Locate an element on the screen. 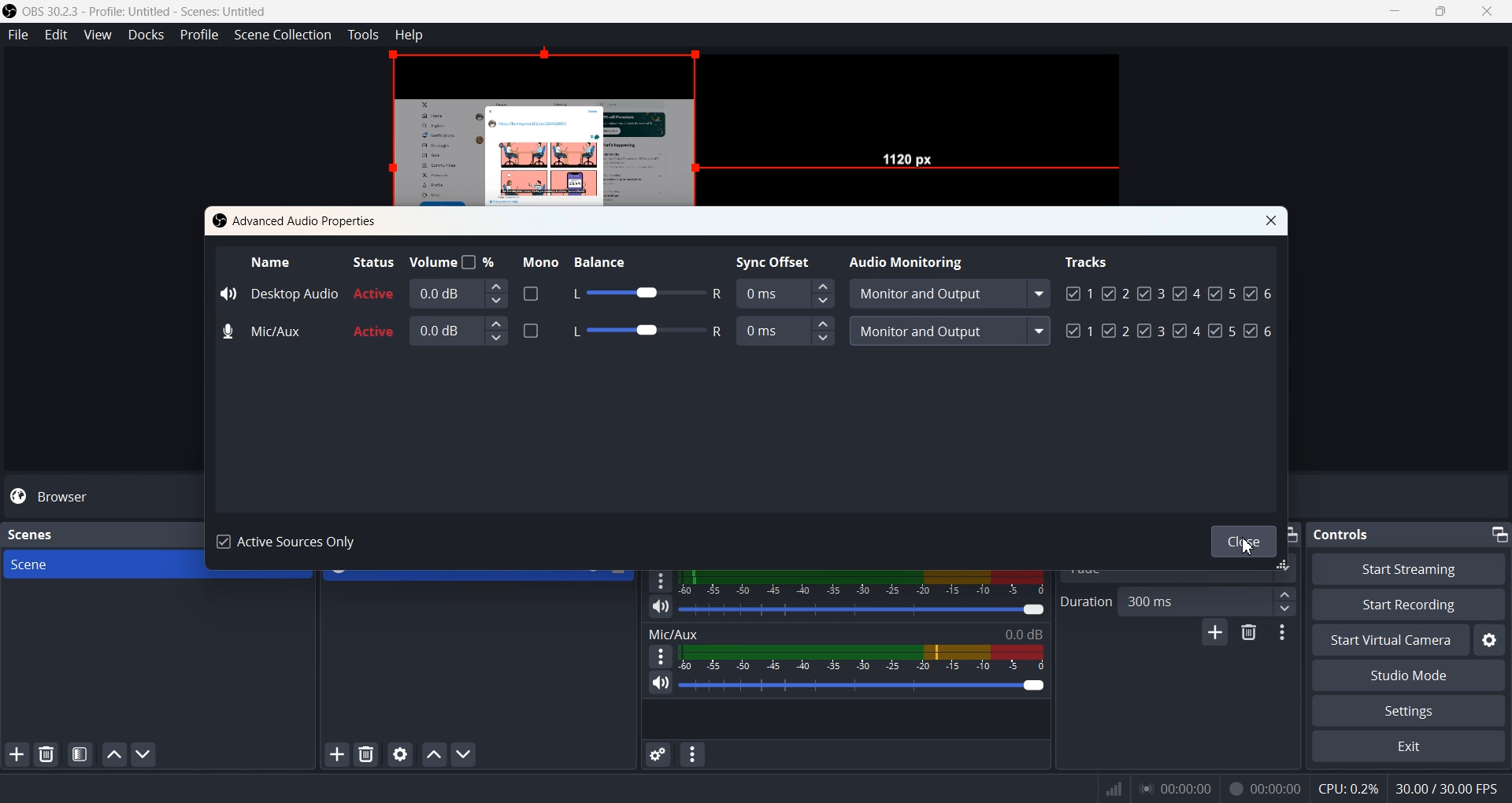 This screenshot has width=1512, height=803. CPU:0.2% is located at coordinates (1348, 787).